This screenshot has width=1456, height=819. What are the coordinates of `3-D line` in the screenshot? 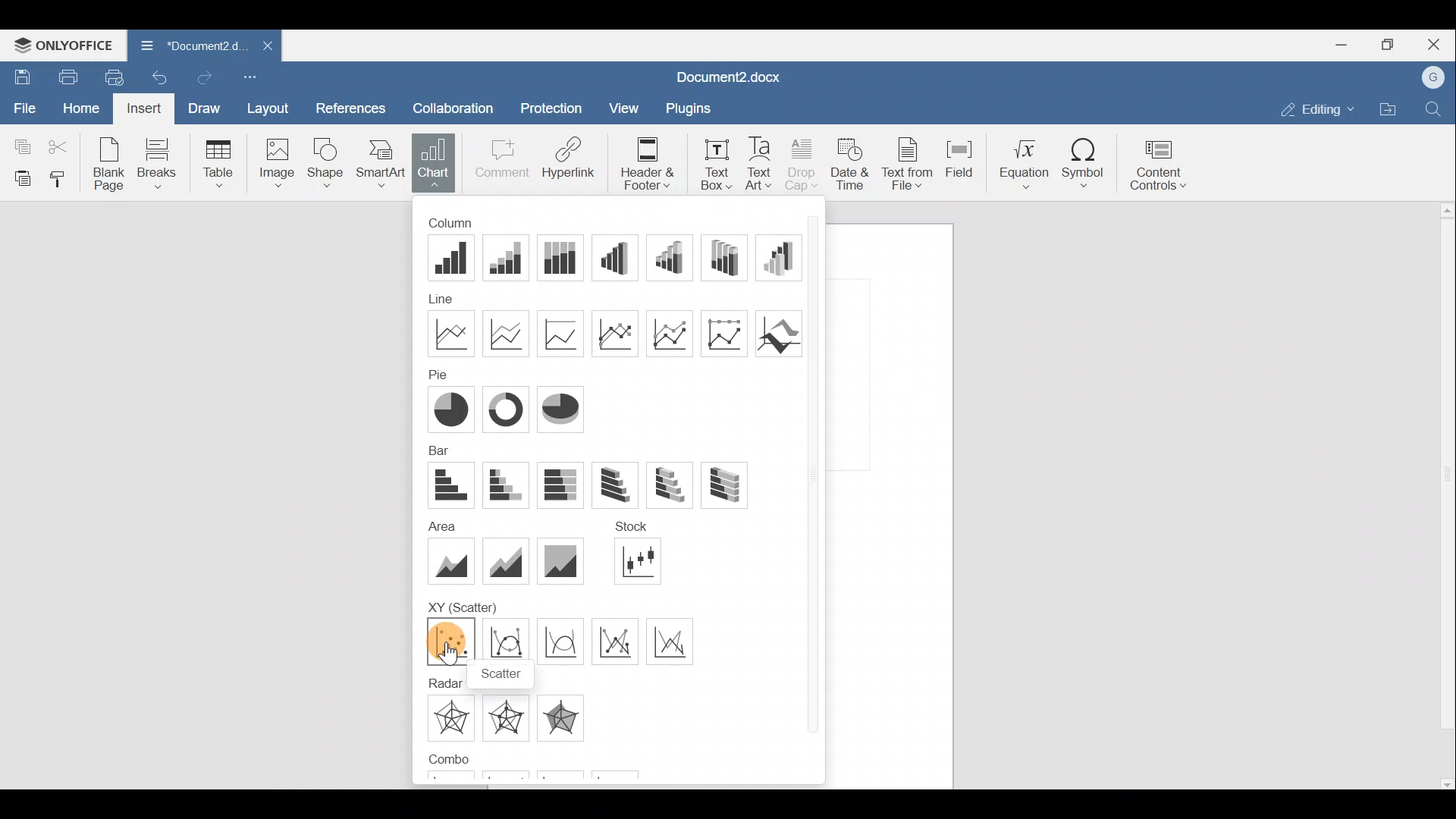 It's located at (781, 332).